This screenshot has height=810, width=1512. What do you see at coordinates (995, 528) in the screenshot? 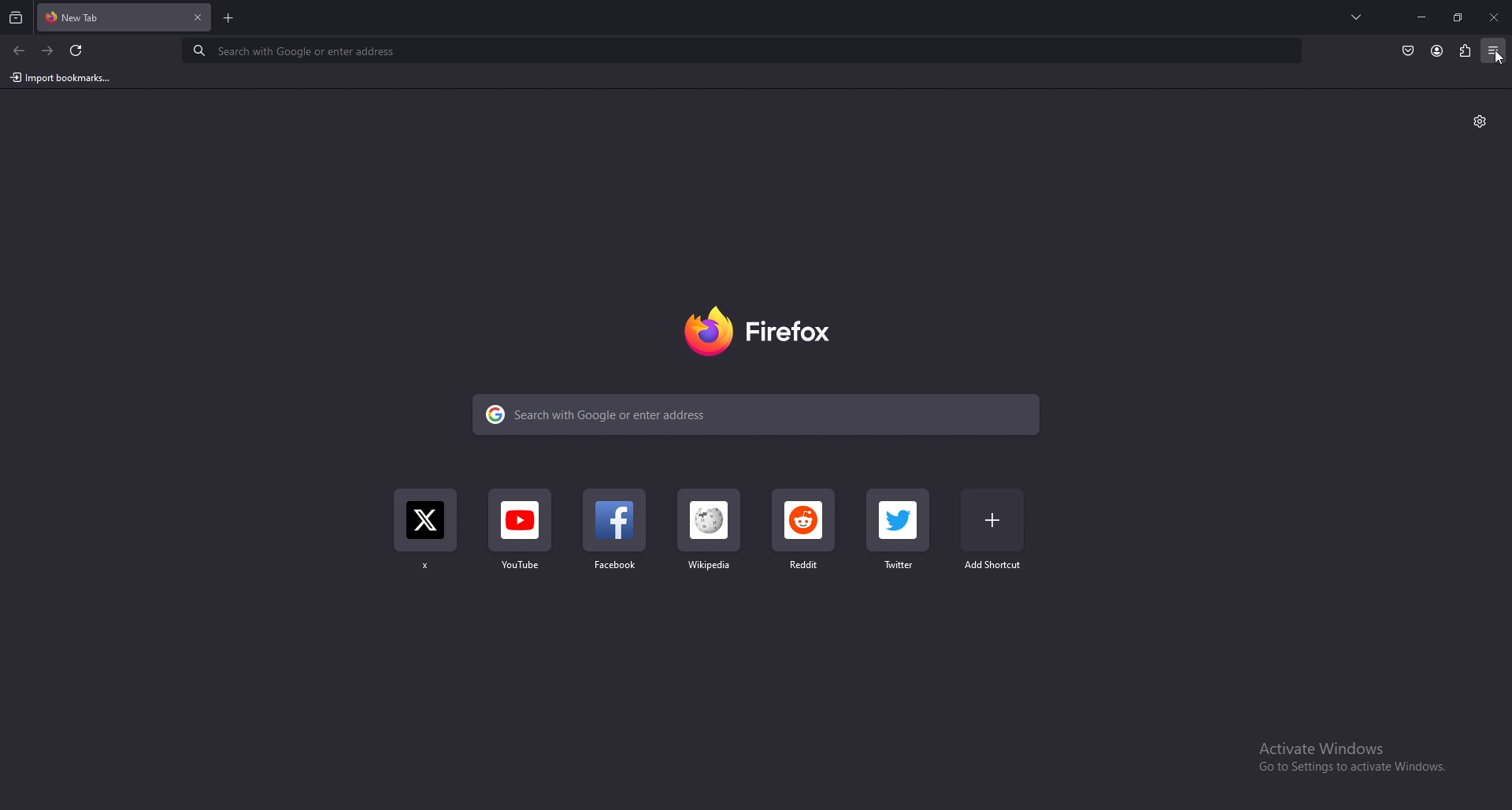
I see `add bookmark` at bounding box center [995, 528].